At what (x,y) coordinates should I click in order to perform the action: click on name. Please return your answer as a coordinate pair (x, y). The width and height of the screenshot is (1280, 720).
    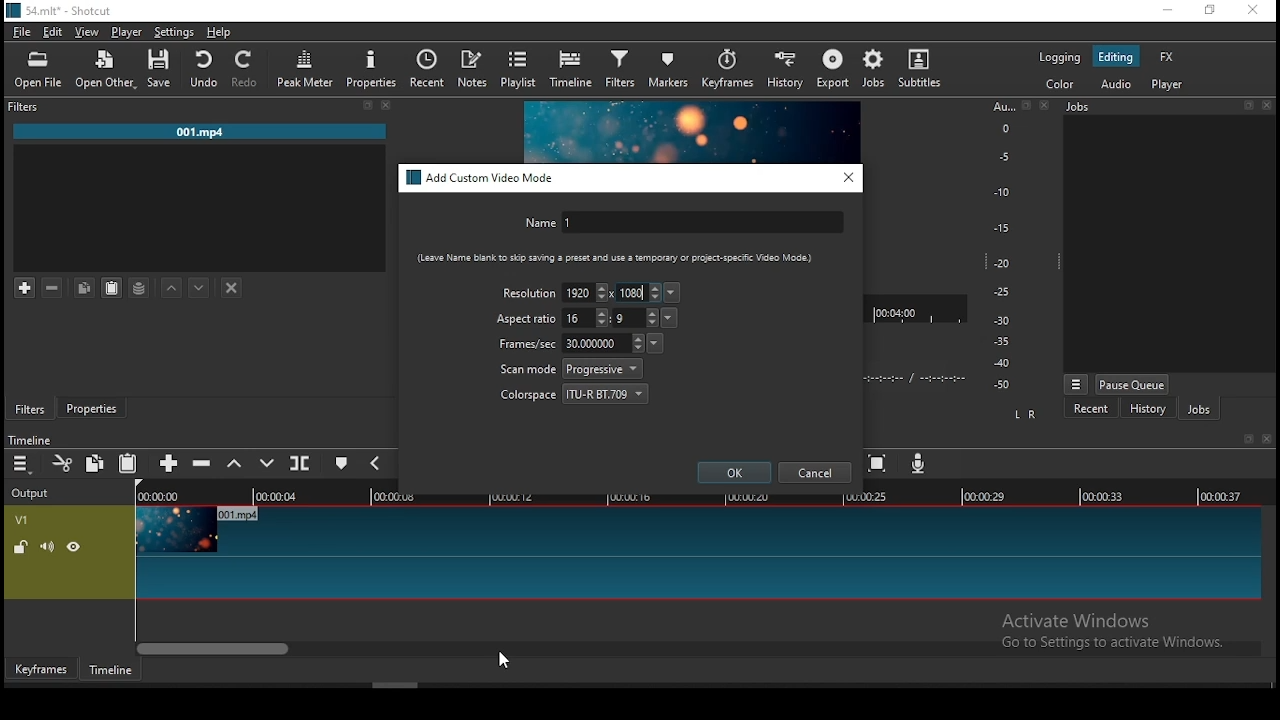
    Looking at the image, I should click on (681, 224).